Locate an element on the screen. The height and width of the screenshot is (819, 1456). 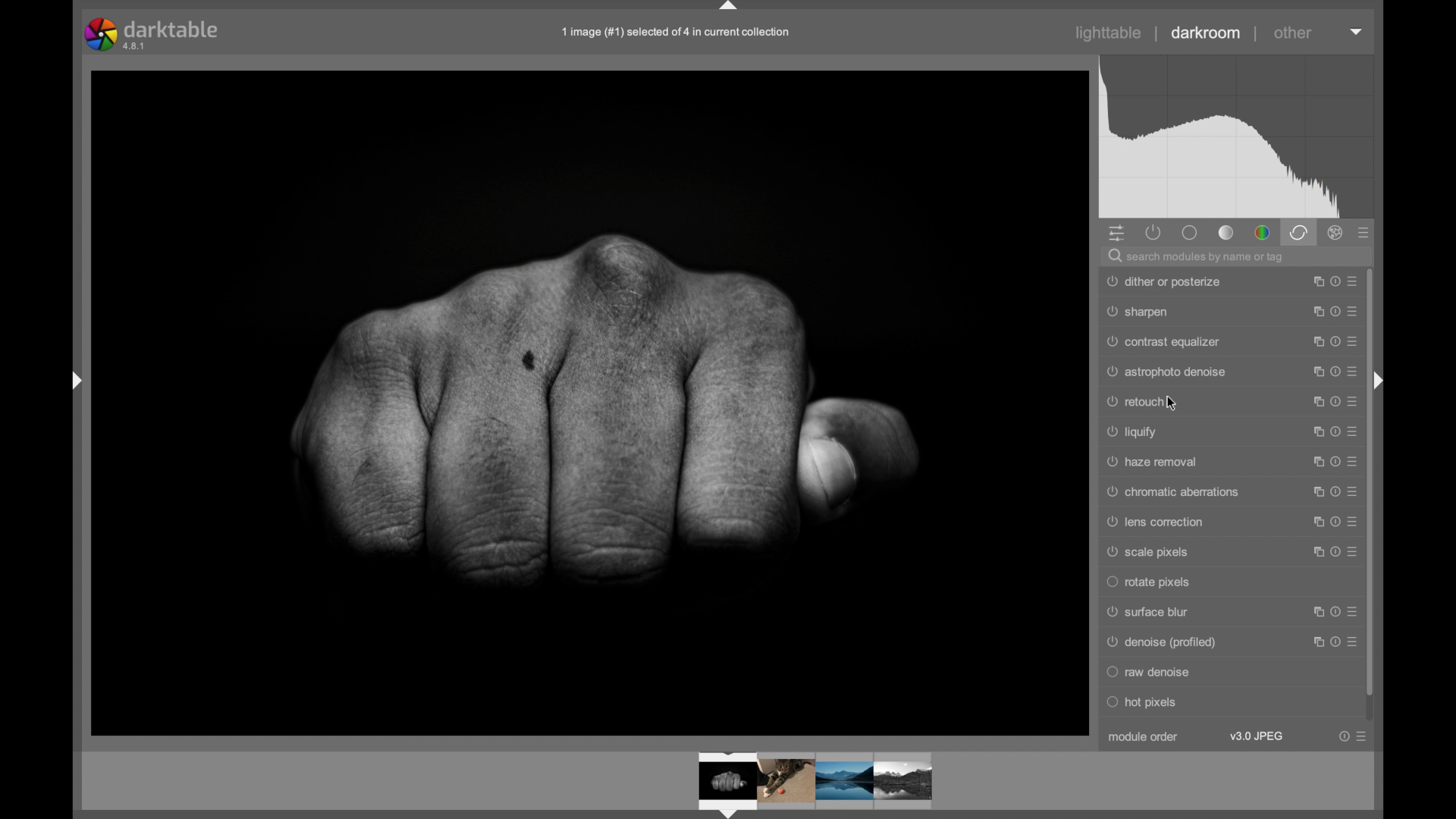
module order is located at coordinates (1141, 736).